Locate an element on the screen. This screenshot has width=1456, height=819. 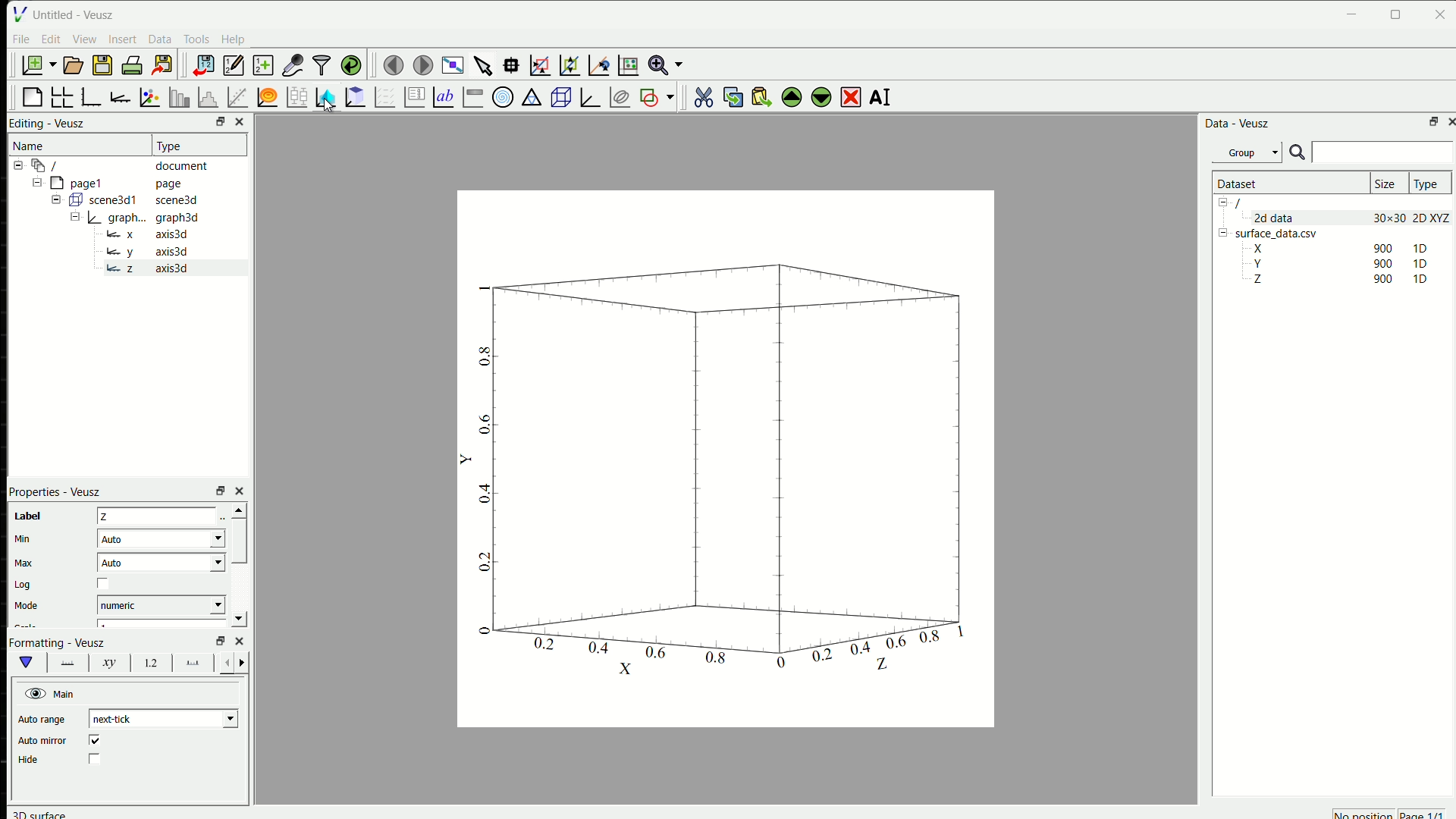
View is located at coordinates (86, 39).